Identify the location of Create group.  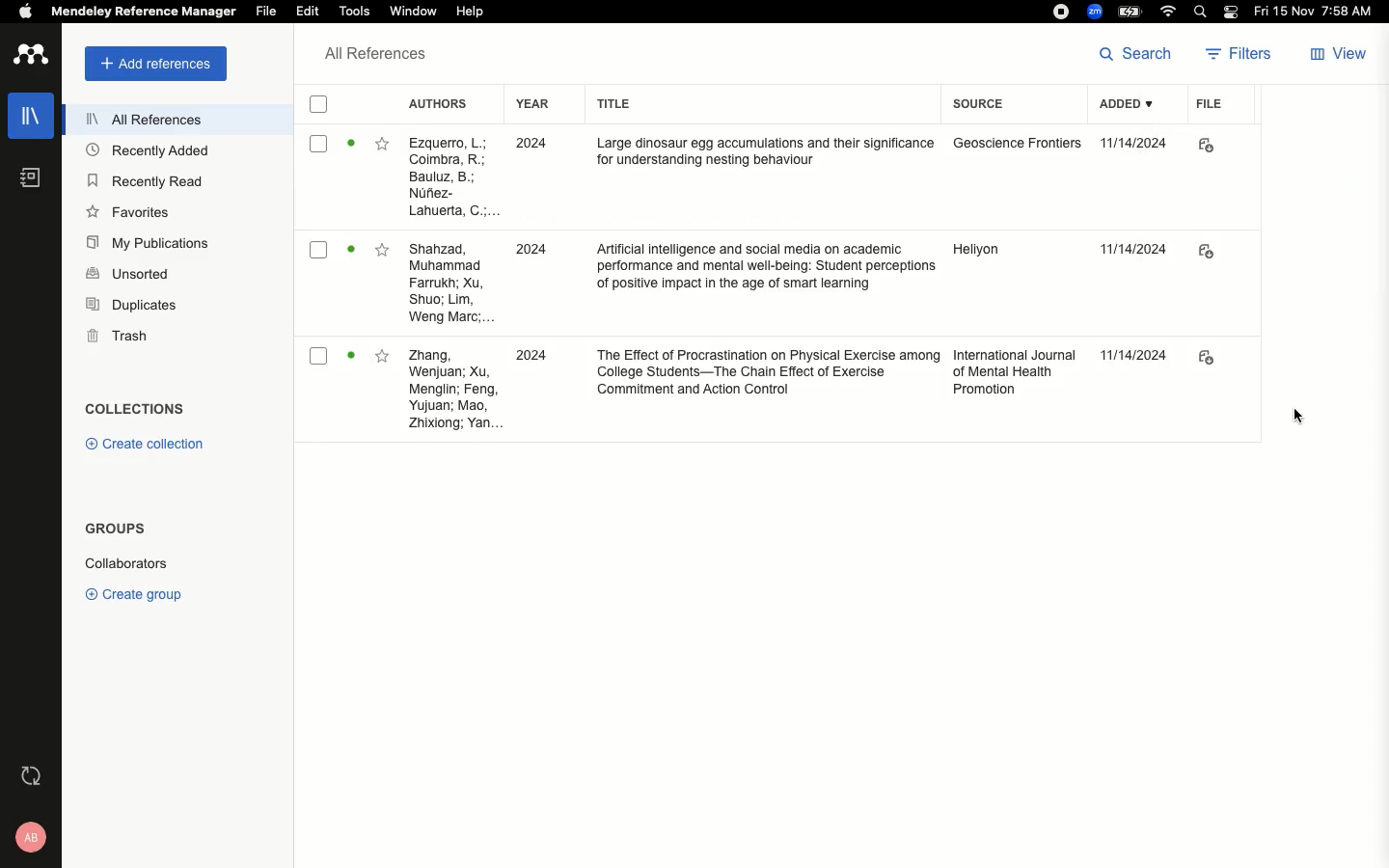
(133, 591).